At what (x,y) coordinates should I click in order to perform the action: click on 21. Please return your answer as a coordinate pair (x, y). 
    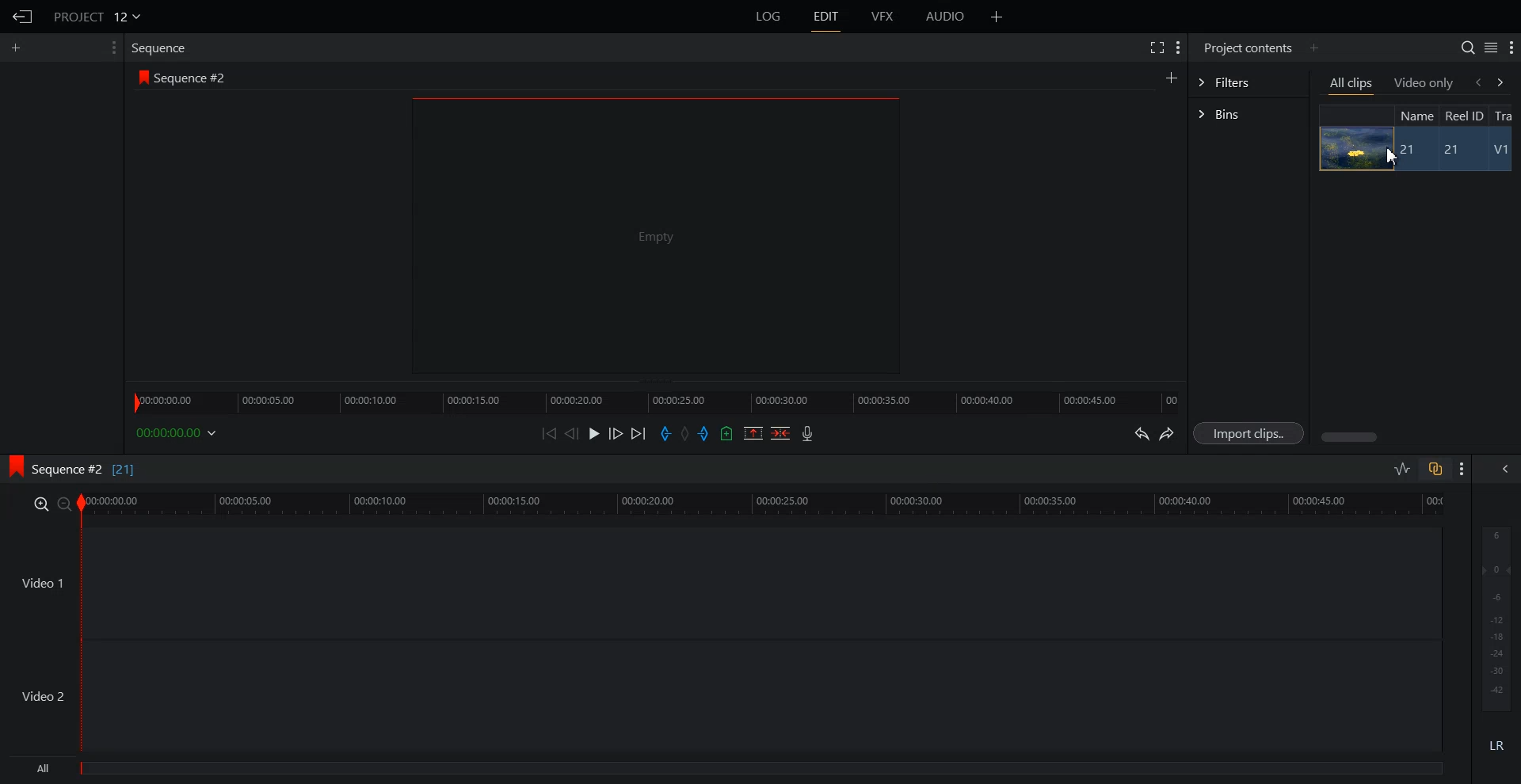
    Looking at the image, I should click on (1458, 150).